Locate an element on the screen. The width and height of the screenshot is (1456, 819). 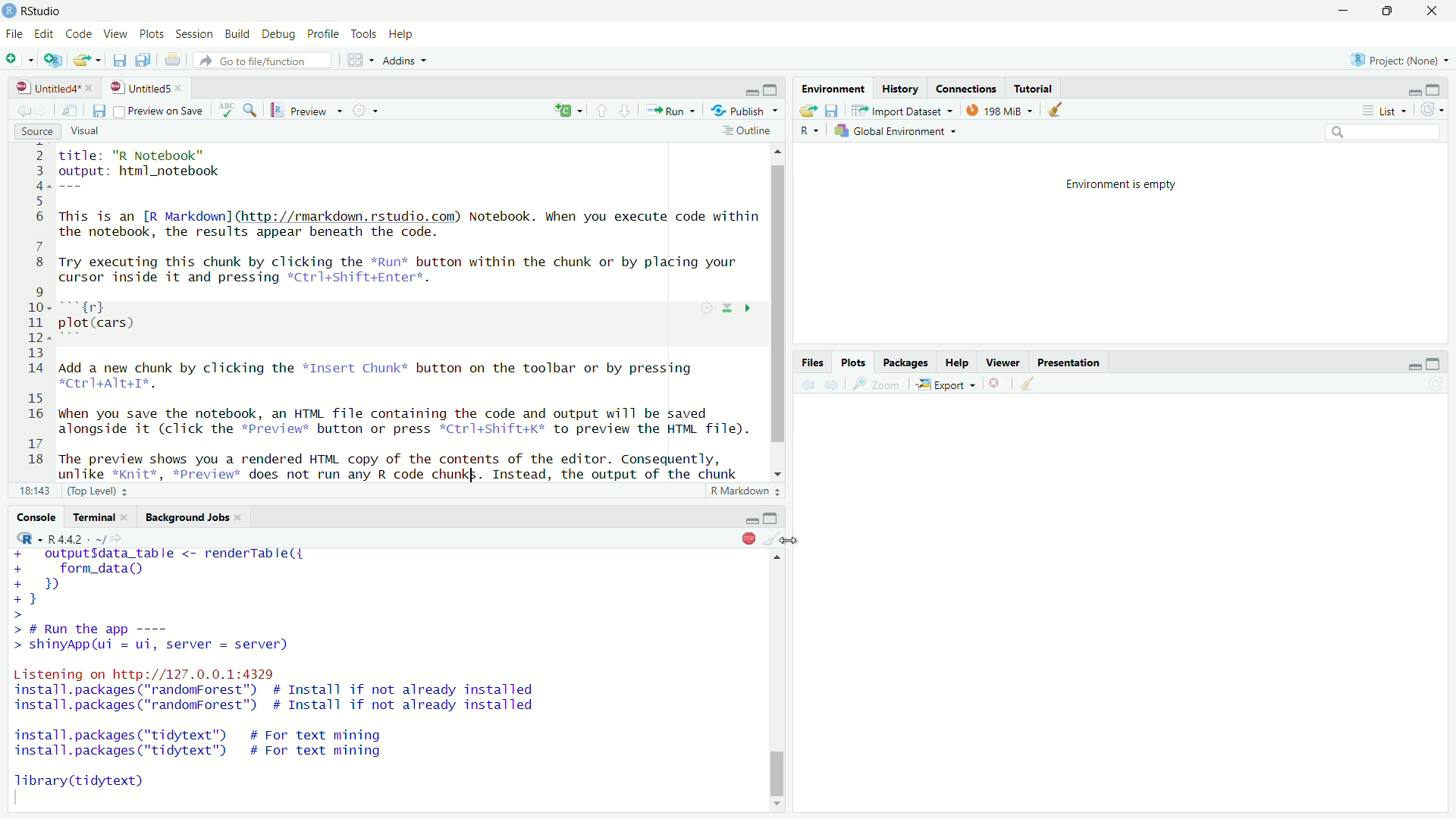
Source is located at coordinates (38, 132).